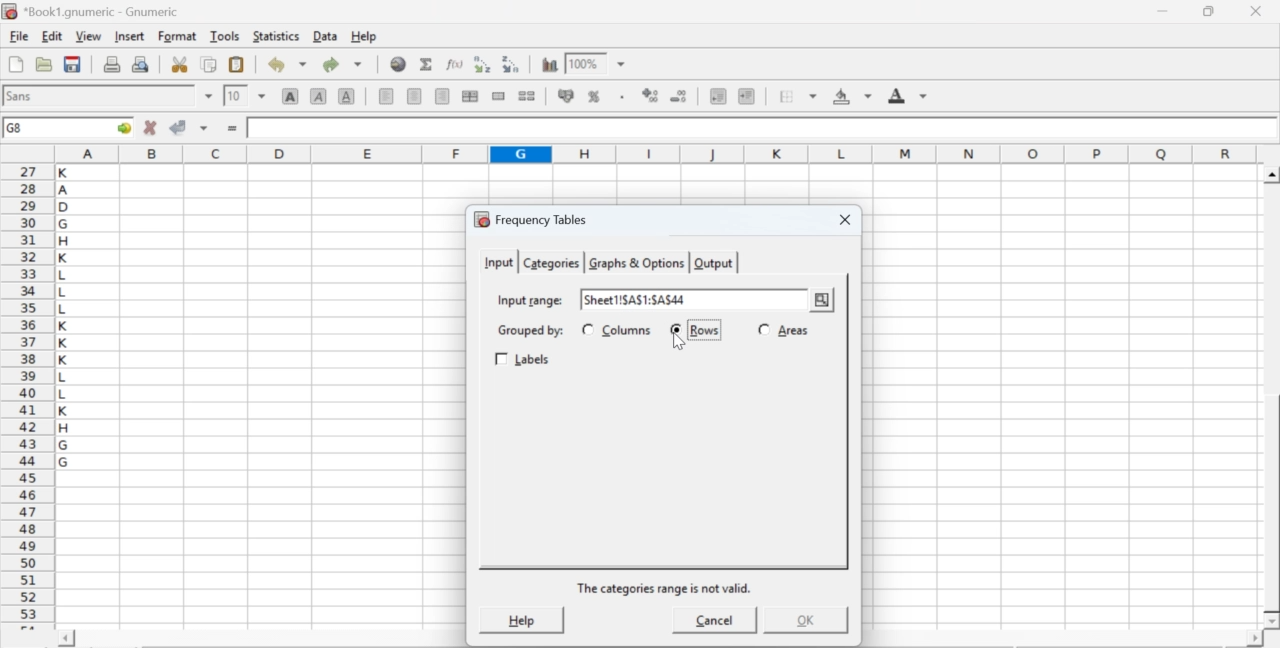  Describe the element at coordinates (684, 343) in the screenshot. I see `cursor` at that location.